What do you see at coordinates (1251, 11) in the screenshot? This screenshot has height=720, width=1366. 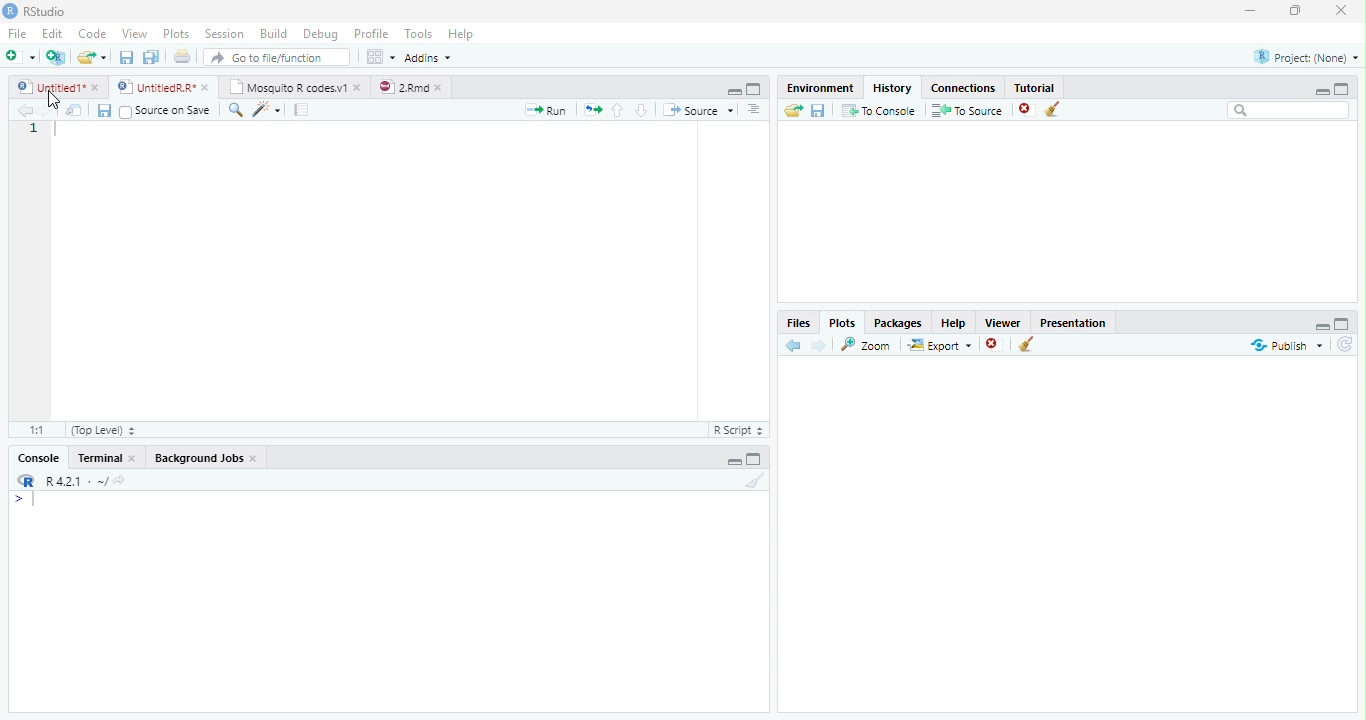 I see `Minimize` at bounding box center [1251, 11].